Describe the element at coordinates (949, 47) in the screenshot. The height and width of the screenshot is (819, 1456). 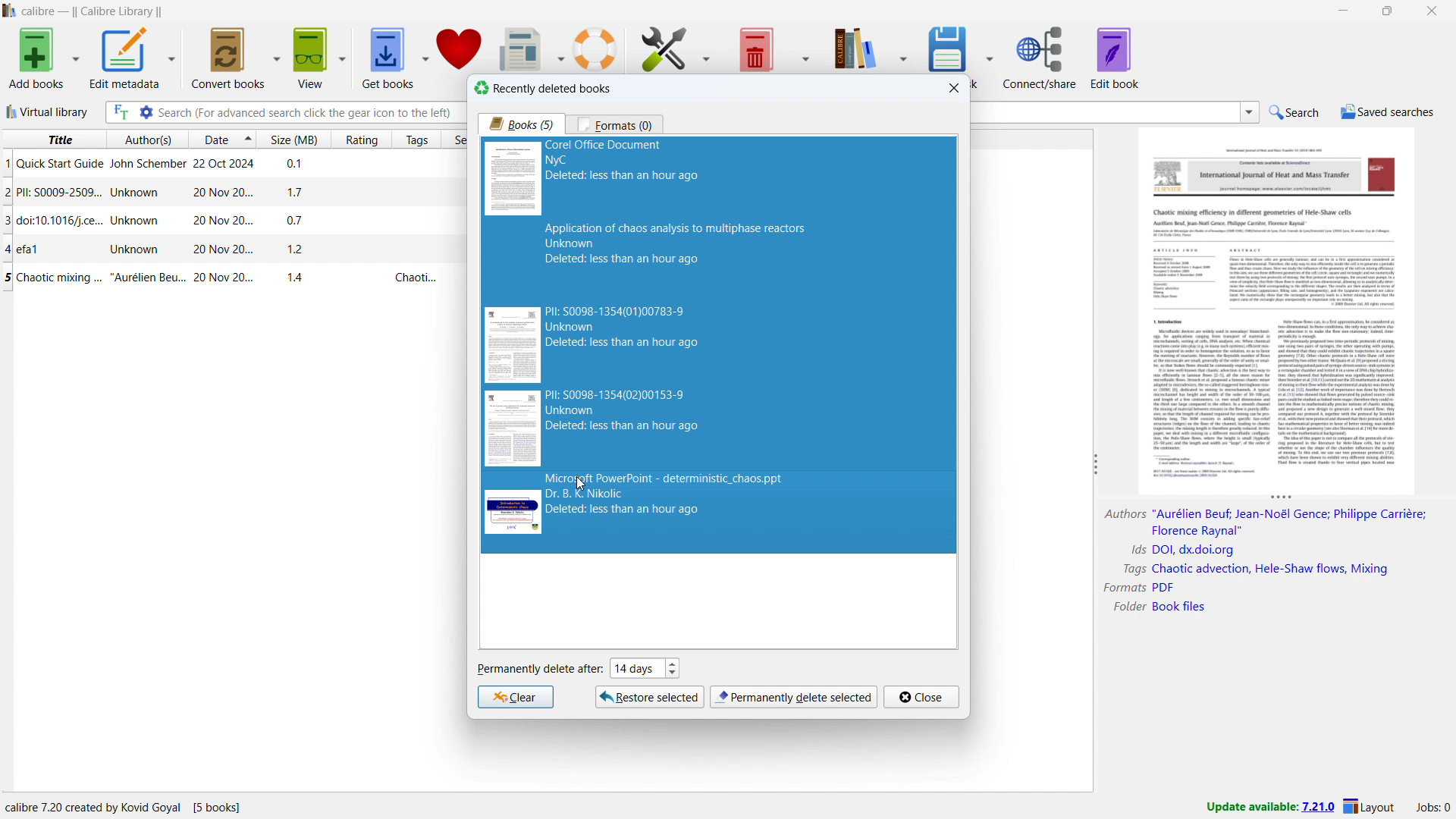
I see `save to disk` at that location.